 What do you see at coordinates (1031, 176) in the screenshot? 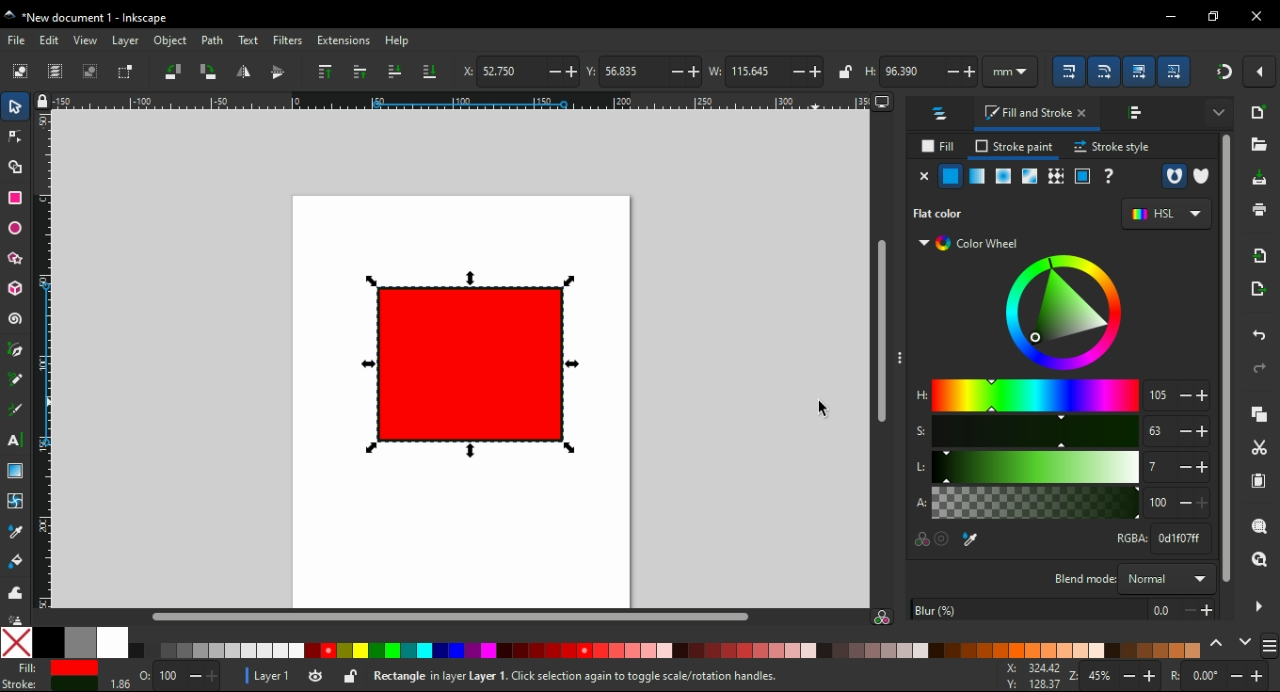
I see `swatch` at bounding box center [1031, 176].